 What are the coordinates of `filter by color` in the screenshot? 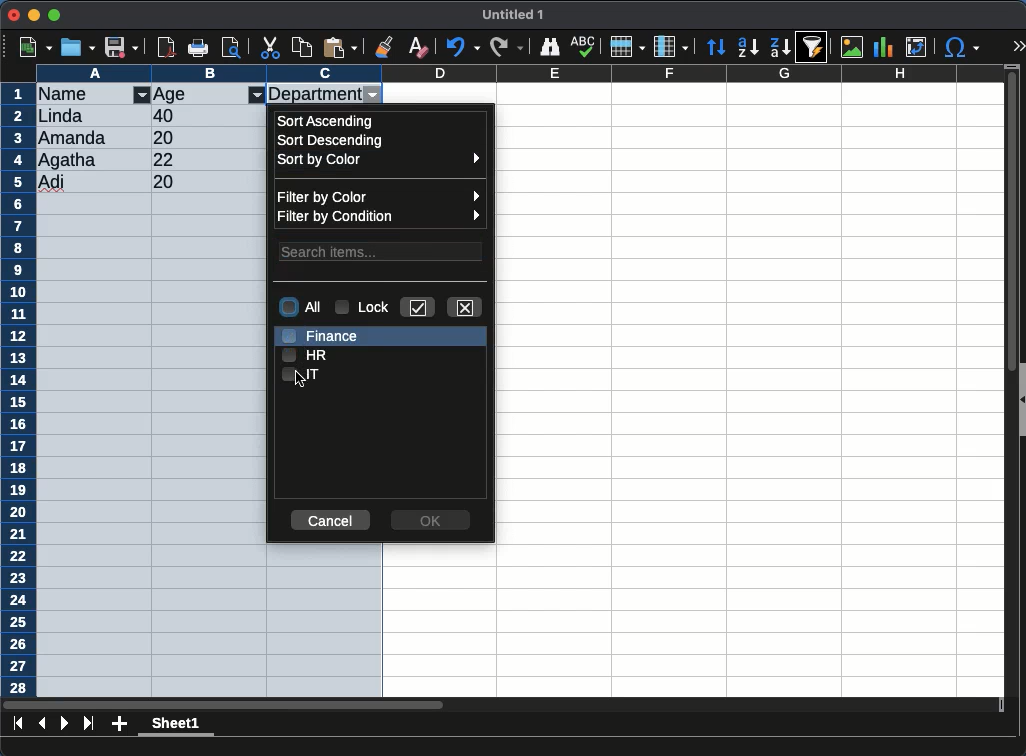 It's located at (379, 195).